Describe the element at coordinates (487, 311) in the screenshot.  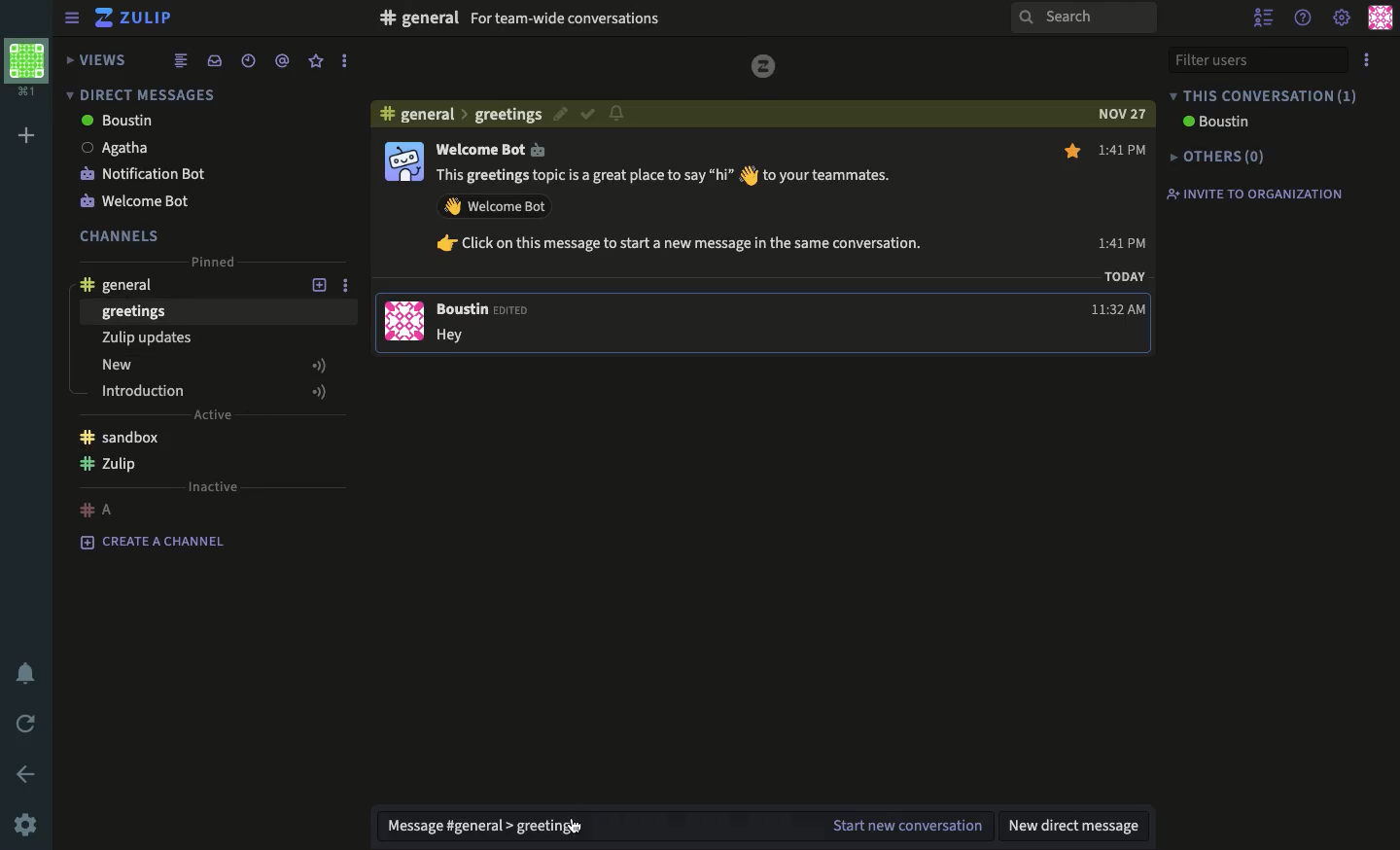
I see `Boustin` at that location.